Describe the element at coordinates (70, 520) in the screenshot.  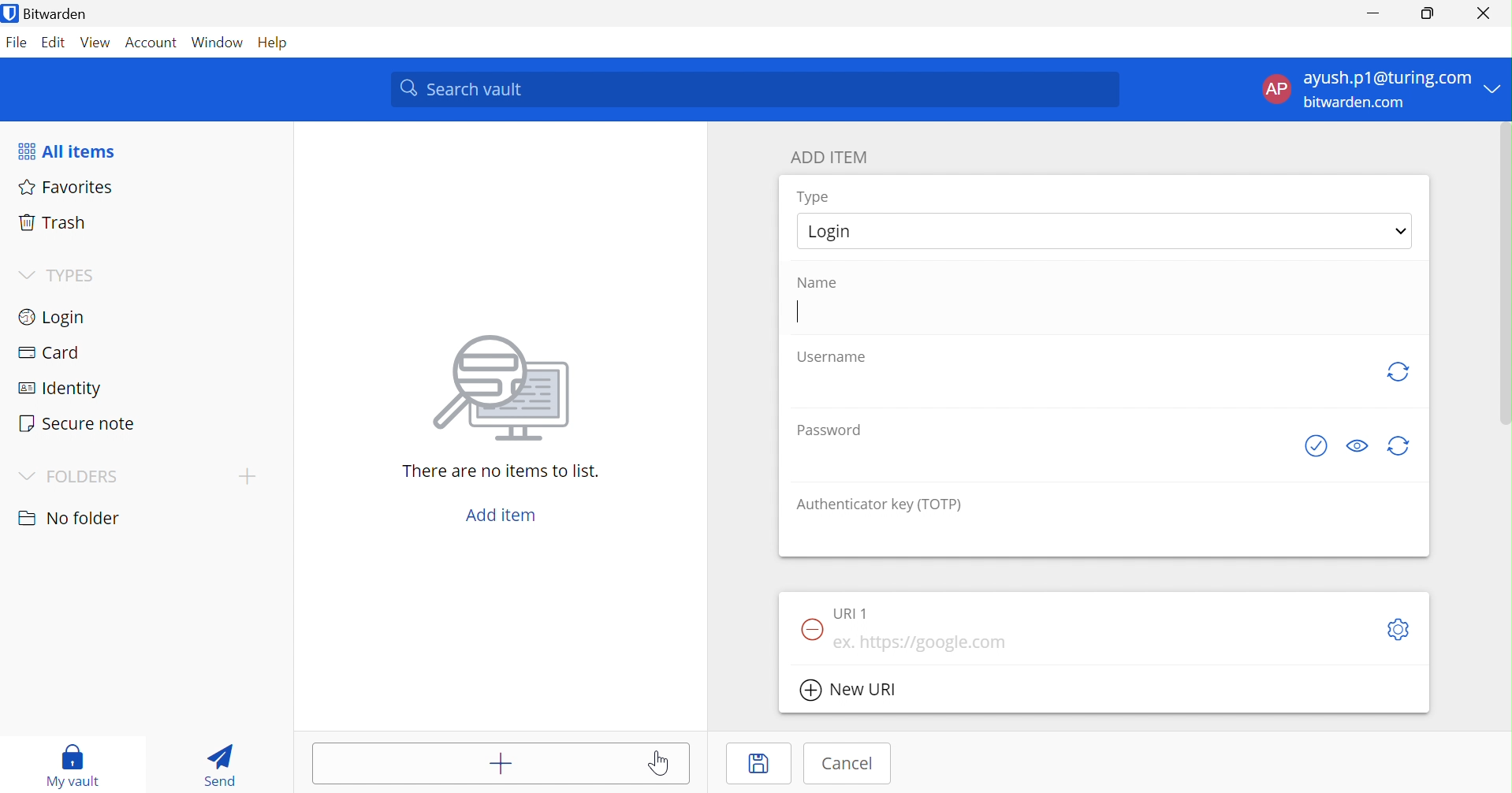
I see `No folder` at that location.